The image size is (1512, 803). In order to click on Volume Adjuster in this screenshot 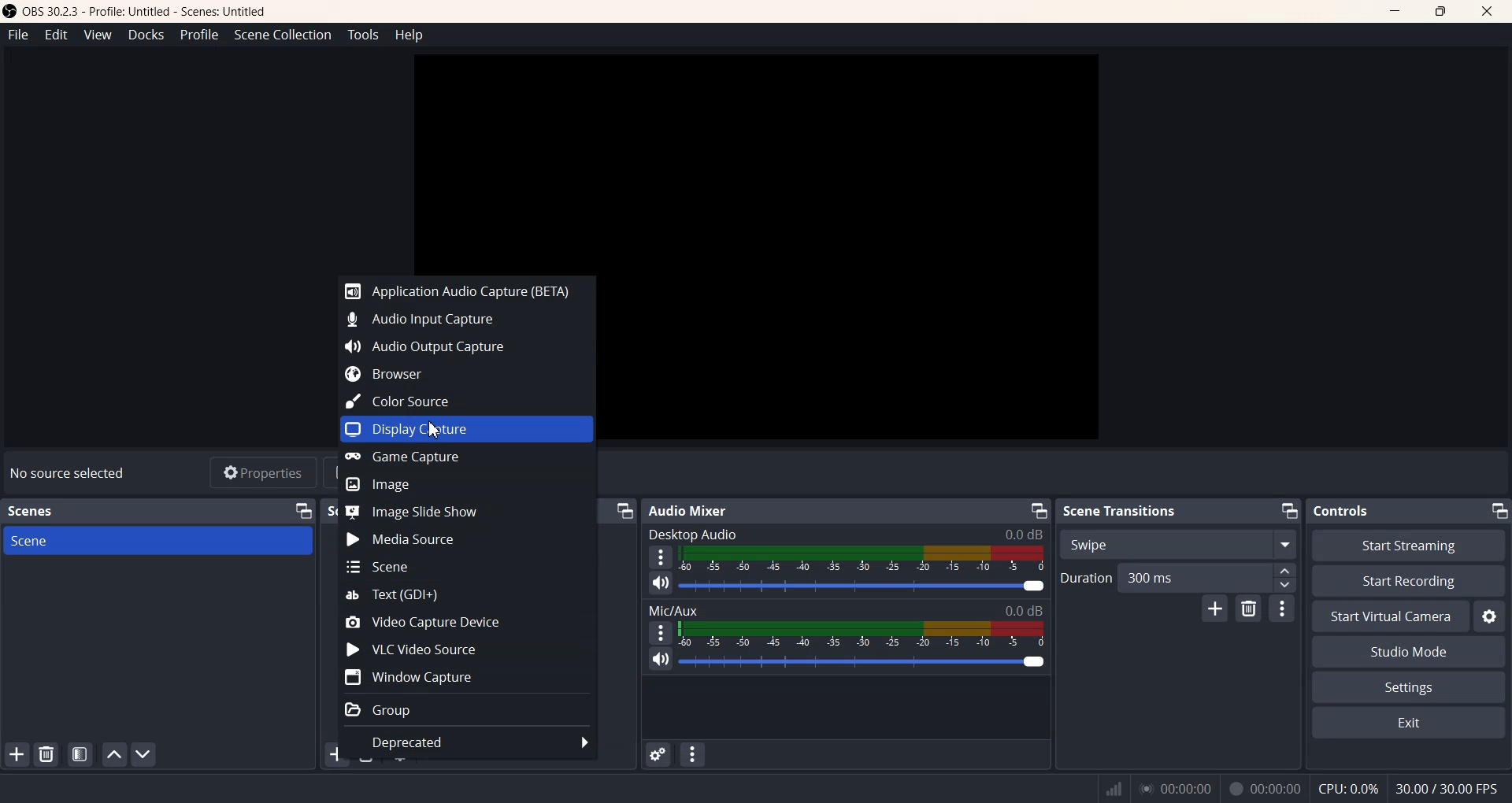, I will do `click(863, 586)`.